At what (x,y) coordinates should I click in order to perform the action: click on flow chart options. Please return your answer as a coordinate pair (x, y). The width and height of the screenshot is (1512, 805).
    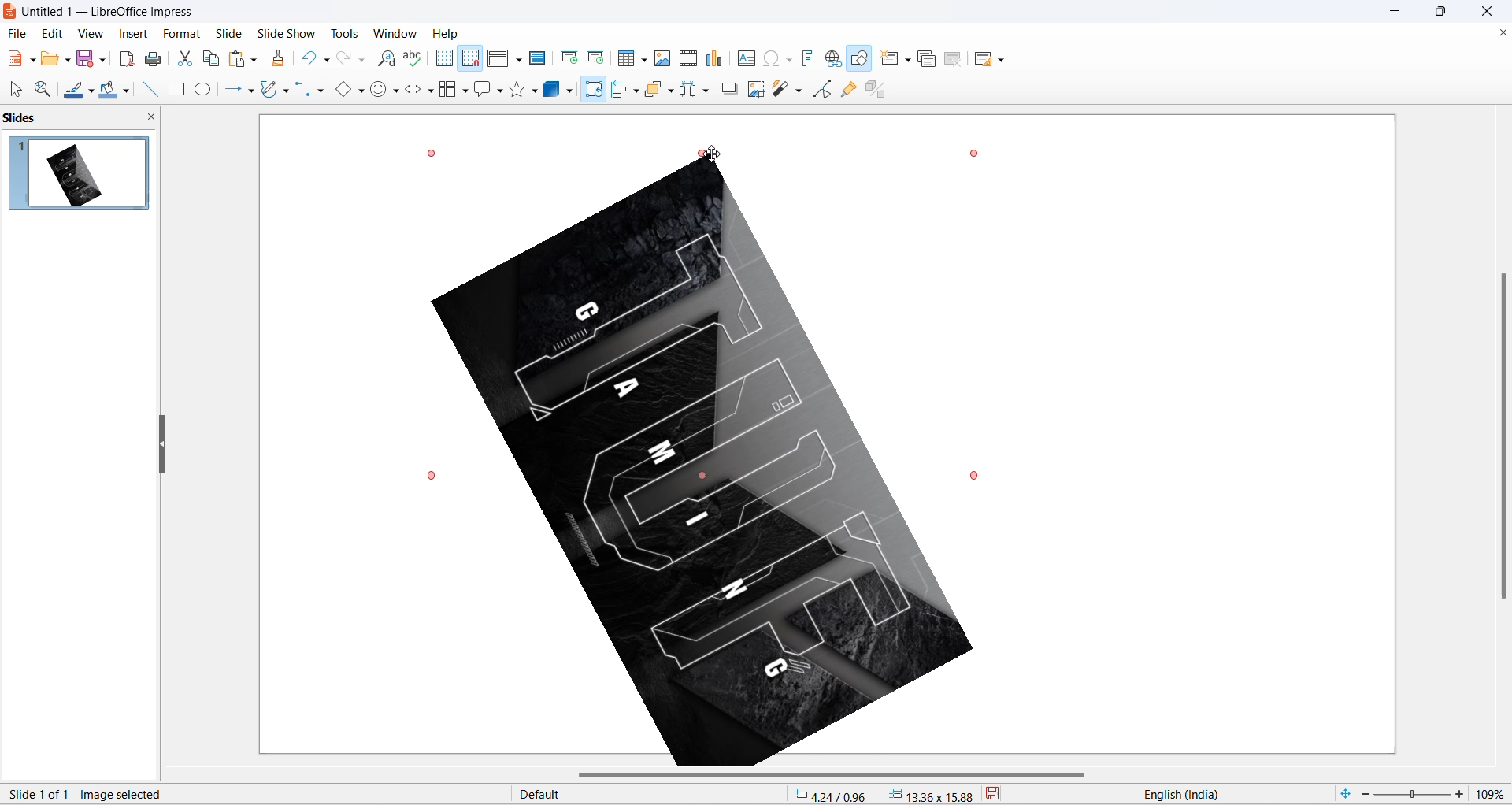
    Looking at the image, I should click on (465, 92).